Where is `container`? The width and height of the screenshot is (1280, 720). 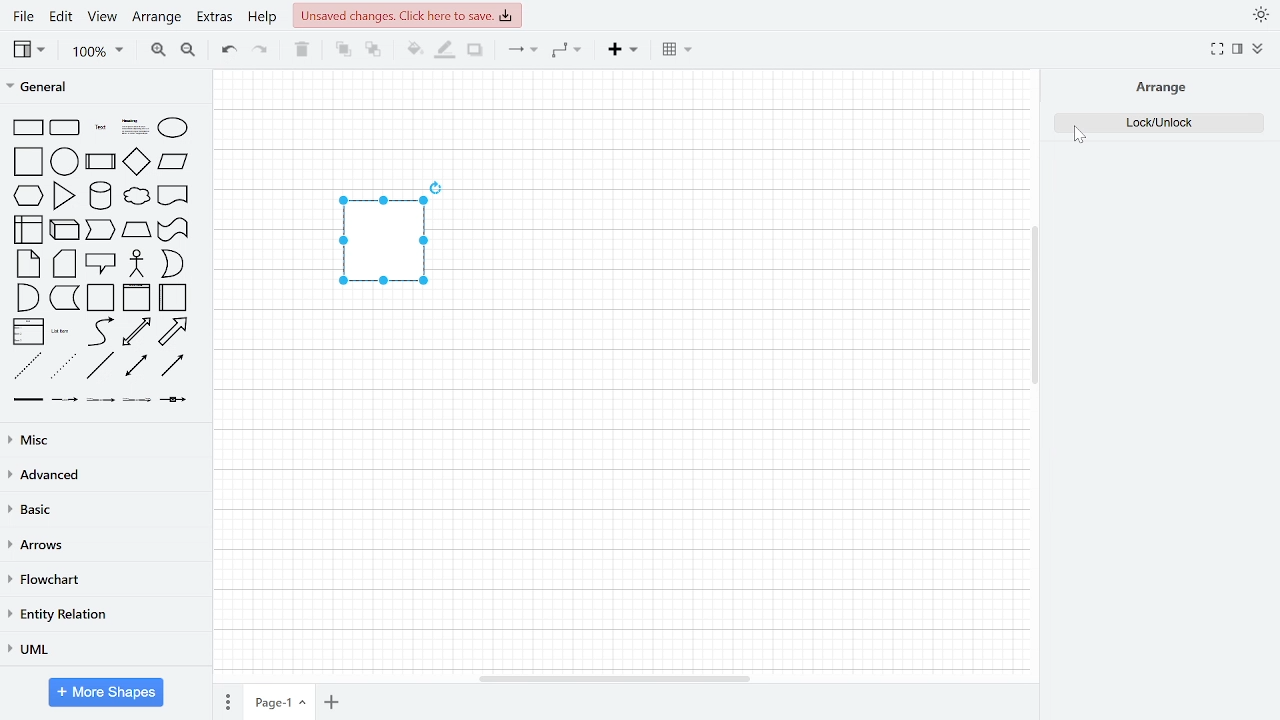
container is located at coordinates (102, 298).